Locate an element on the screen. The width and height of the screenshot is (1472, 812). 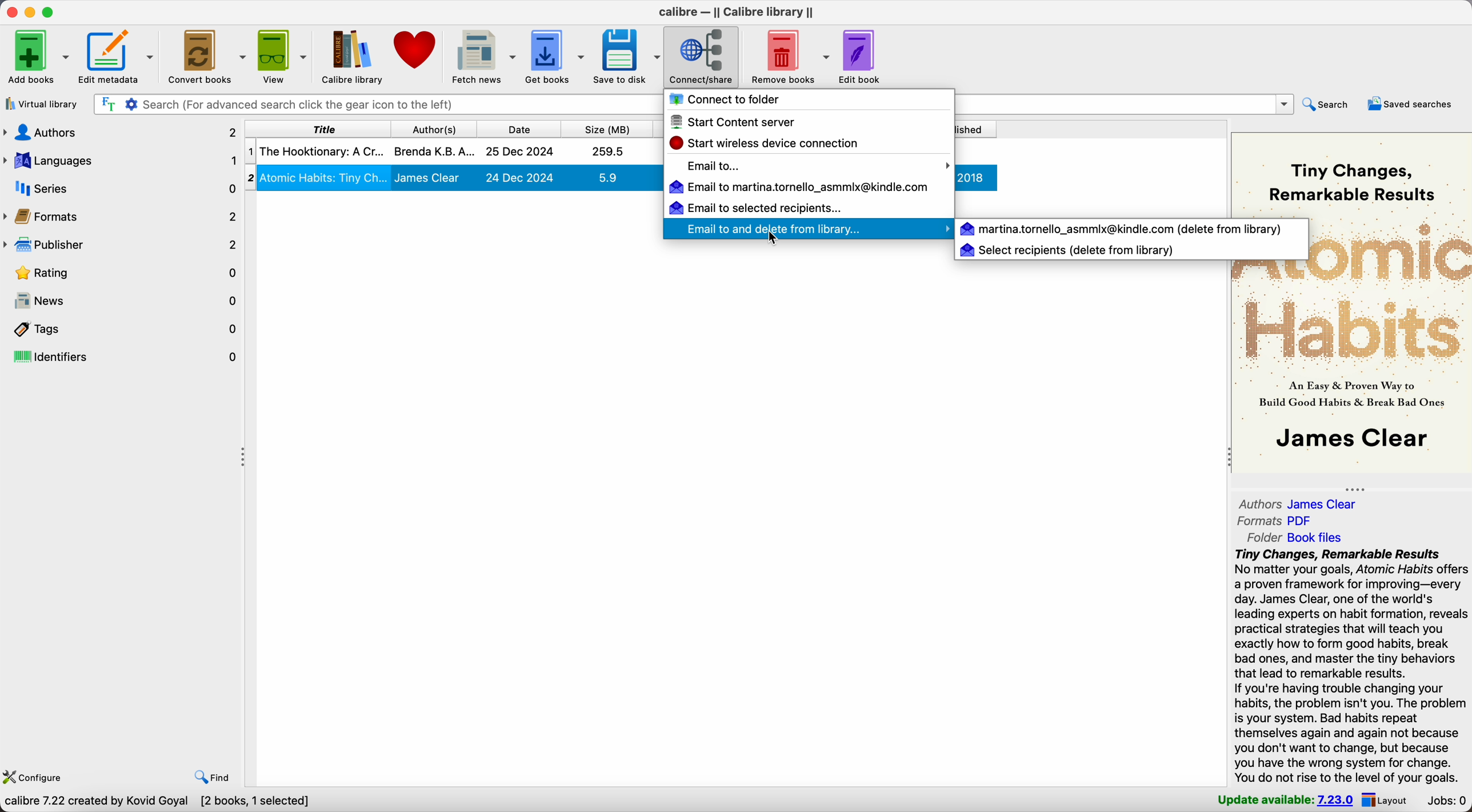
authors is located at coordinates (1299, 503).